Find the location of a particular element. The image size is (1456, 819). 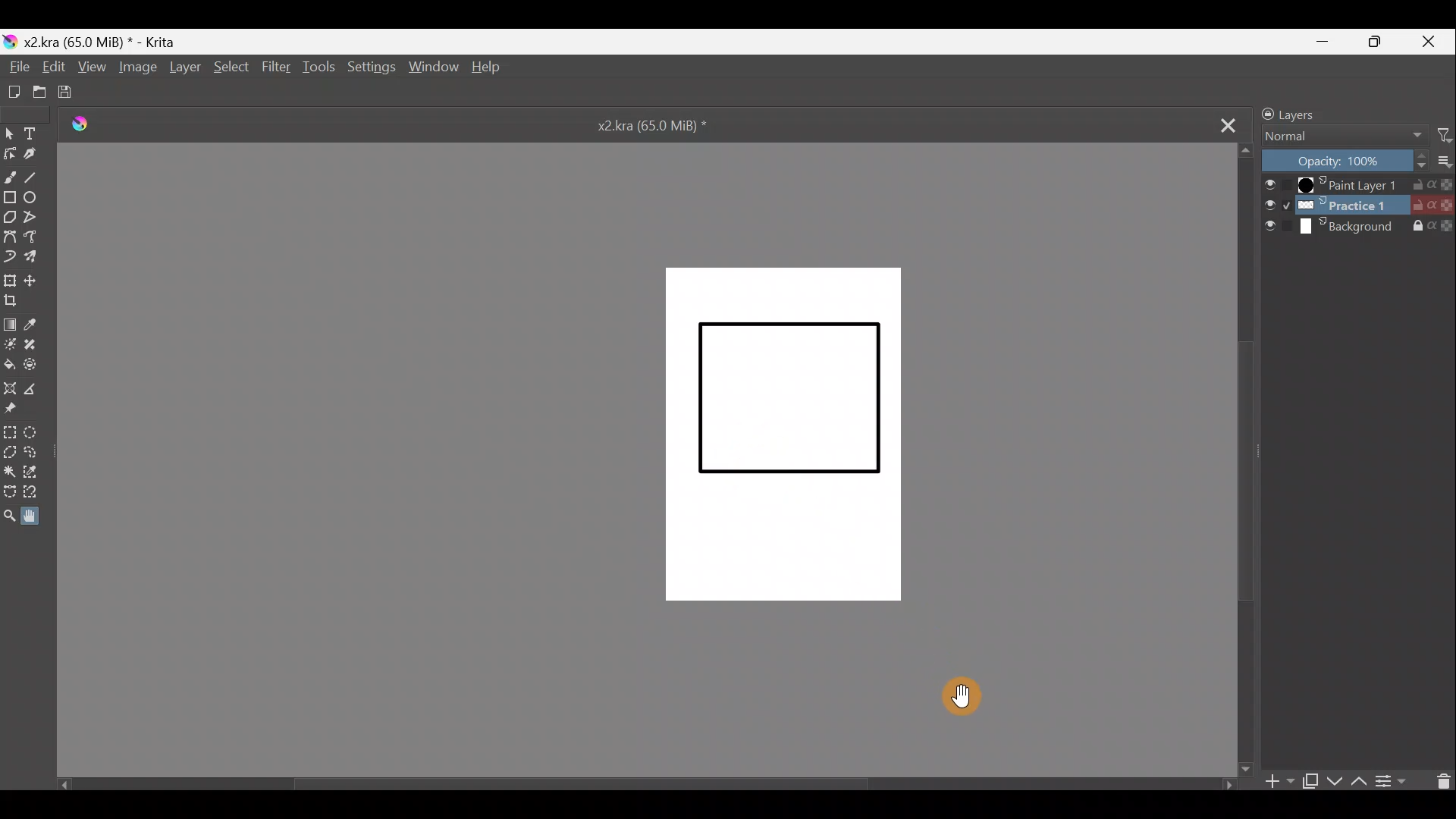

Logo is located at coordinates (80, 125).